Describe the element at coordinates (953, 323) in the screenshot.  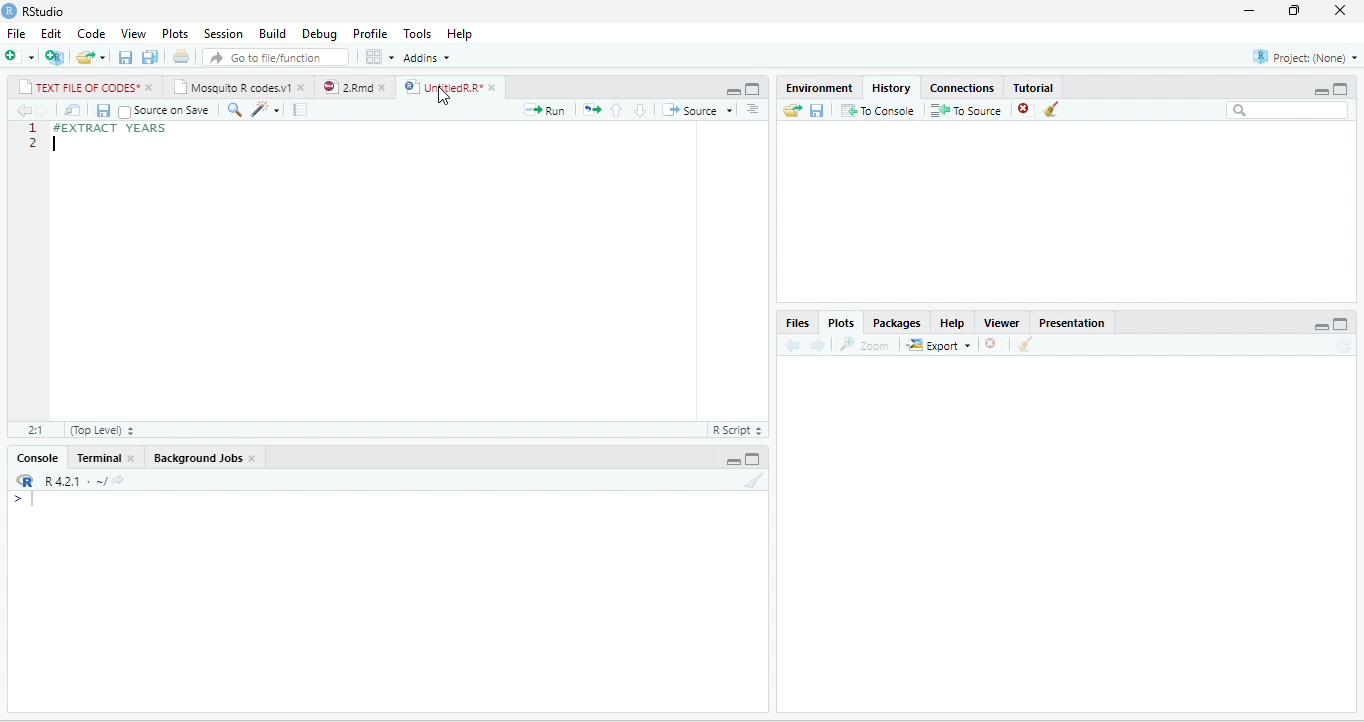
I see `Help` at that location.